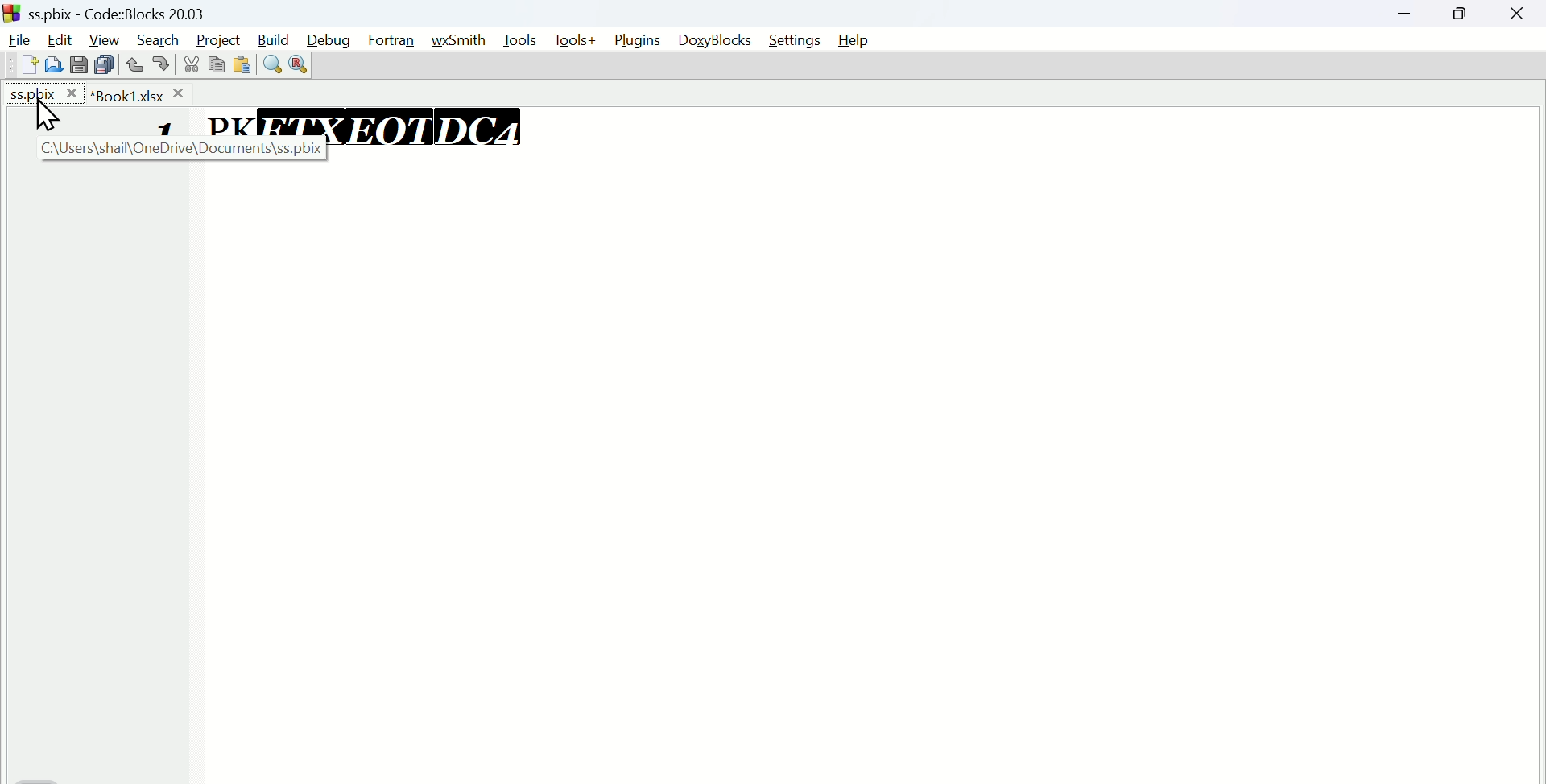 The image size is (1546, 784). Describe the element at coordinates (299, 65) in the screenshot. I see `Replace` at that location.